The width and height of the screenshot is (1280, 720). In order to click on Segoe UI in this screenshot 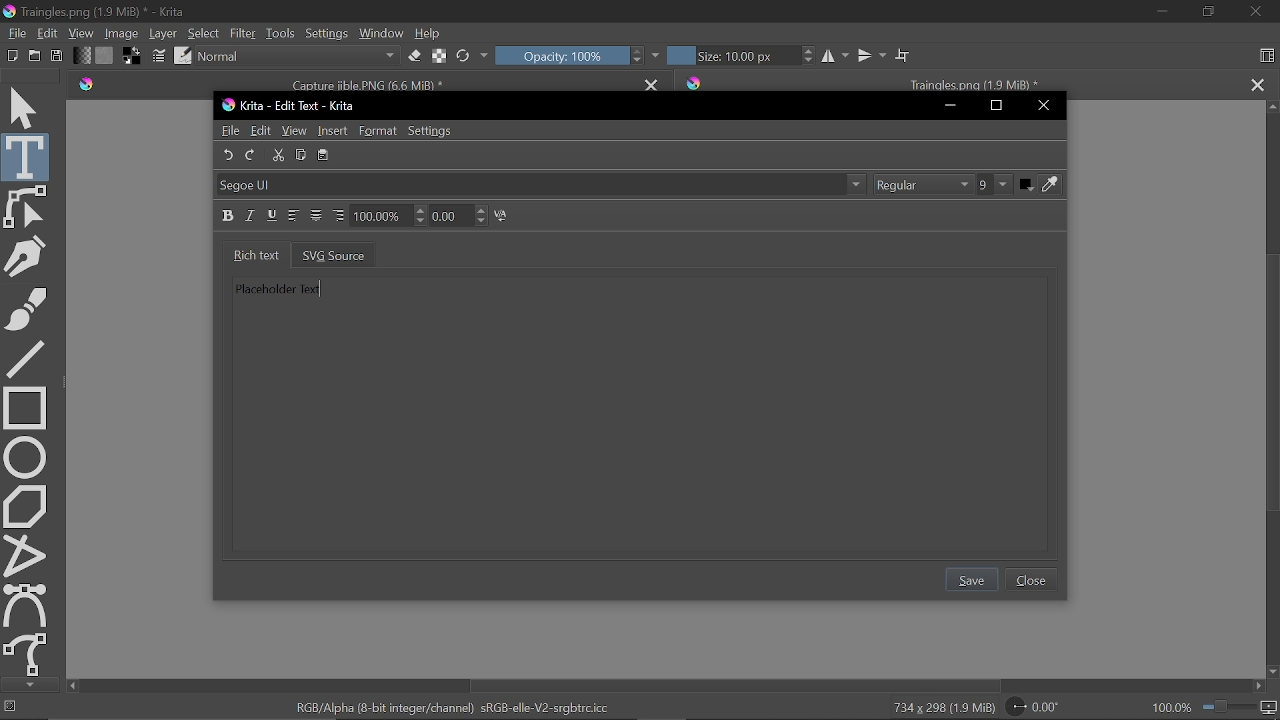, I will do `click(543, 185)`.